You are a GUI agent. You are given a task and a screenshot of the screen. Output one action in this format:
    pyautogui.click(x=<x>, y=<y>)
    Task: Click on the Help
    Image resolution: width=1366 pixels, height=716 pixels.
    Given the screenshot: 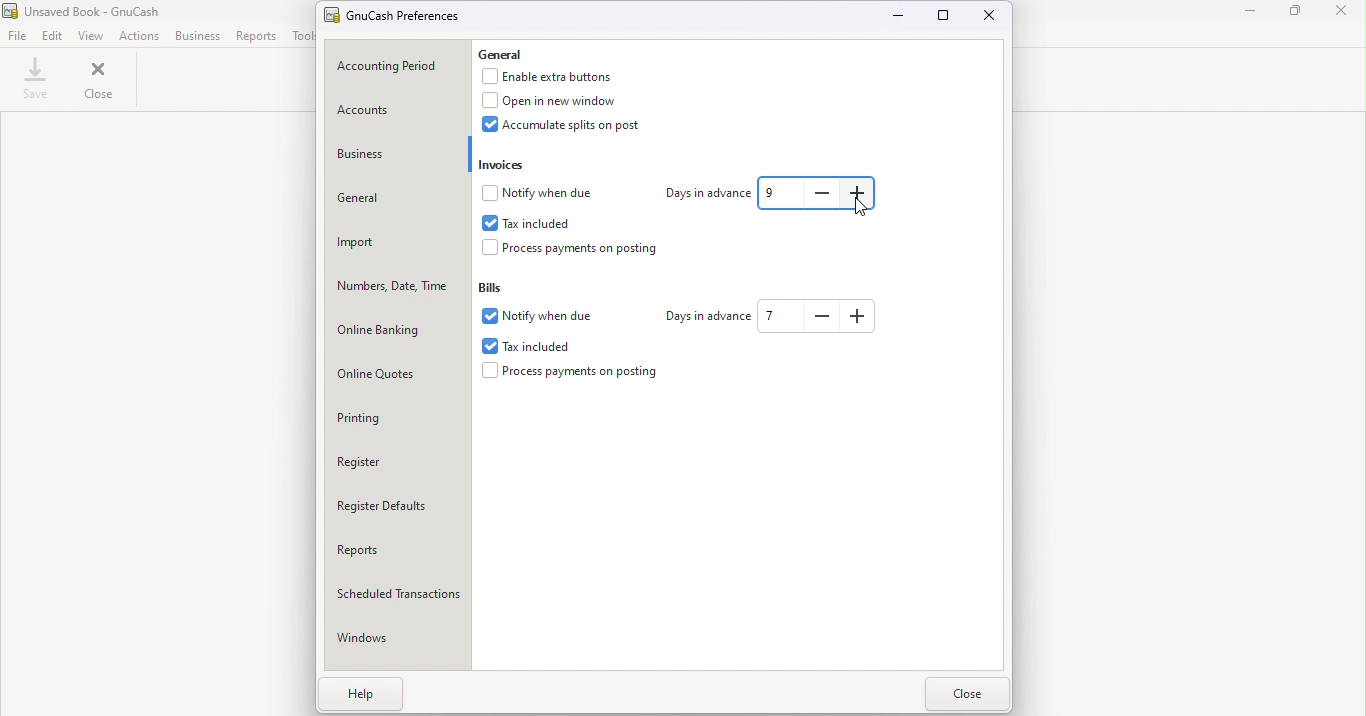 What is the action you would take?
    pyautogui.click(x=364, y=696)
    